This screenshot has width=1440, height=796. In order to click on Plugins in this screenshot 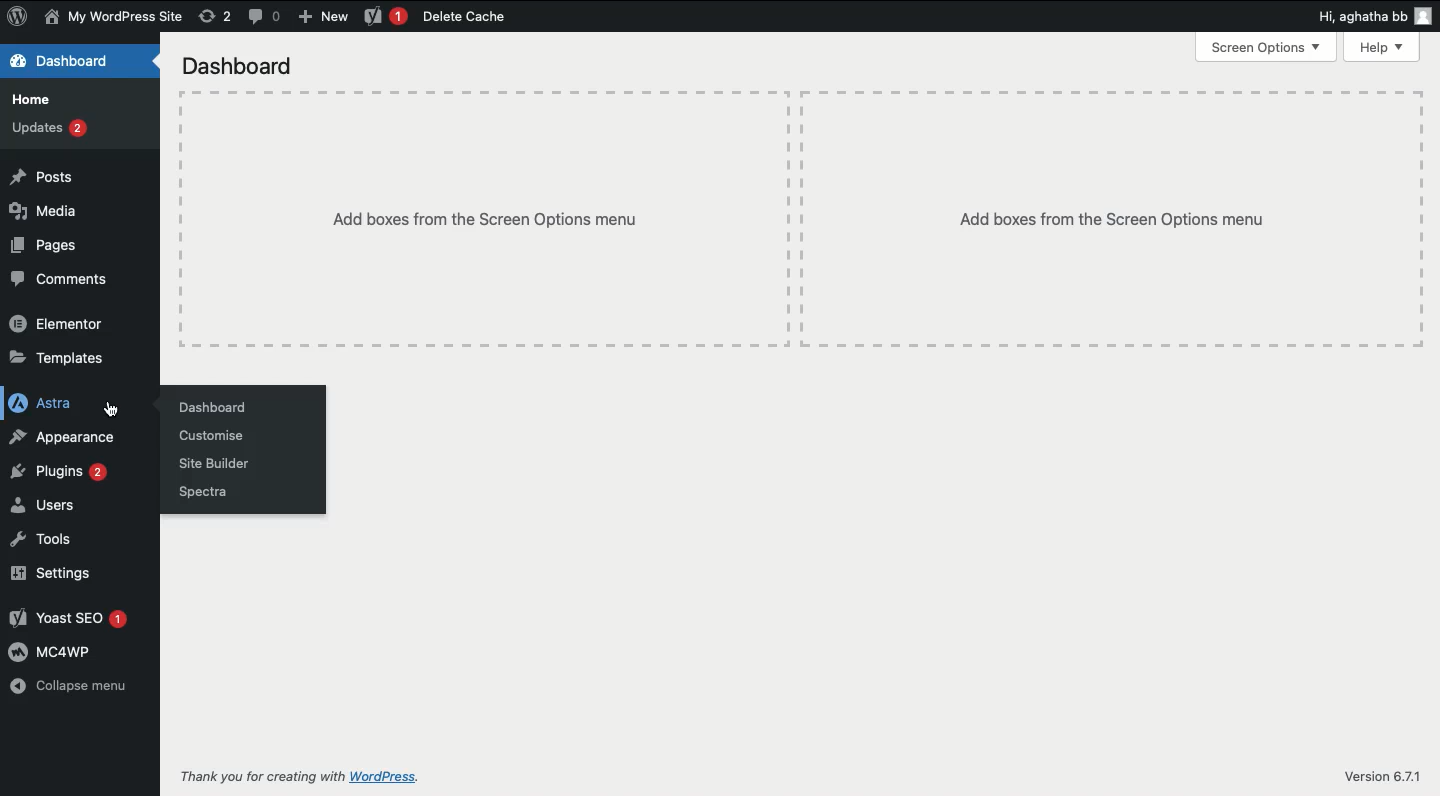, I will do `click(58, 471)`.